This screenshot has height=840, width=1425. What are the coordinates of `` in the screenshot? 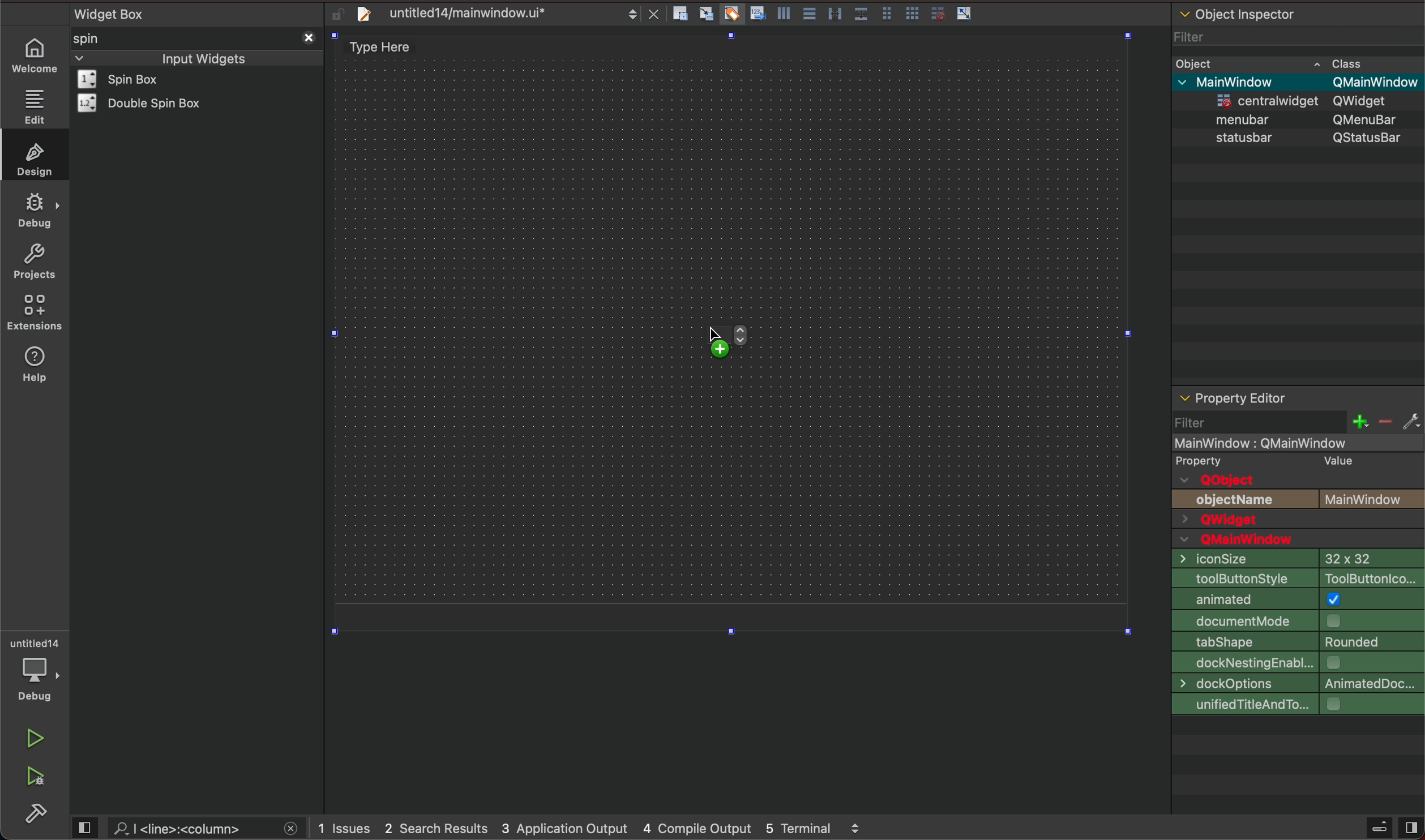 It's located at (1369, 137).